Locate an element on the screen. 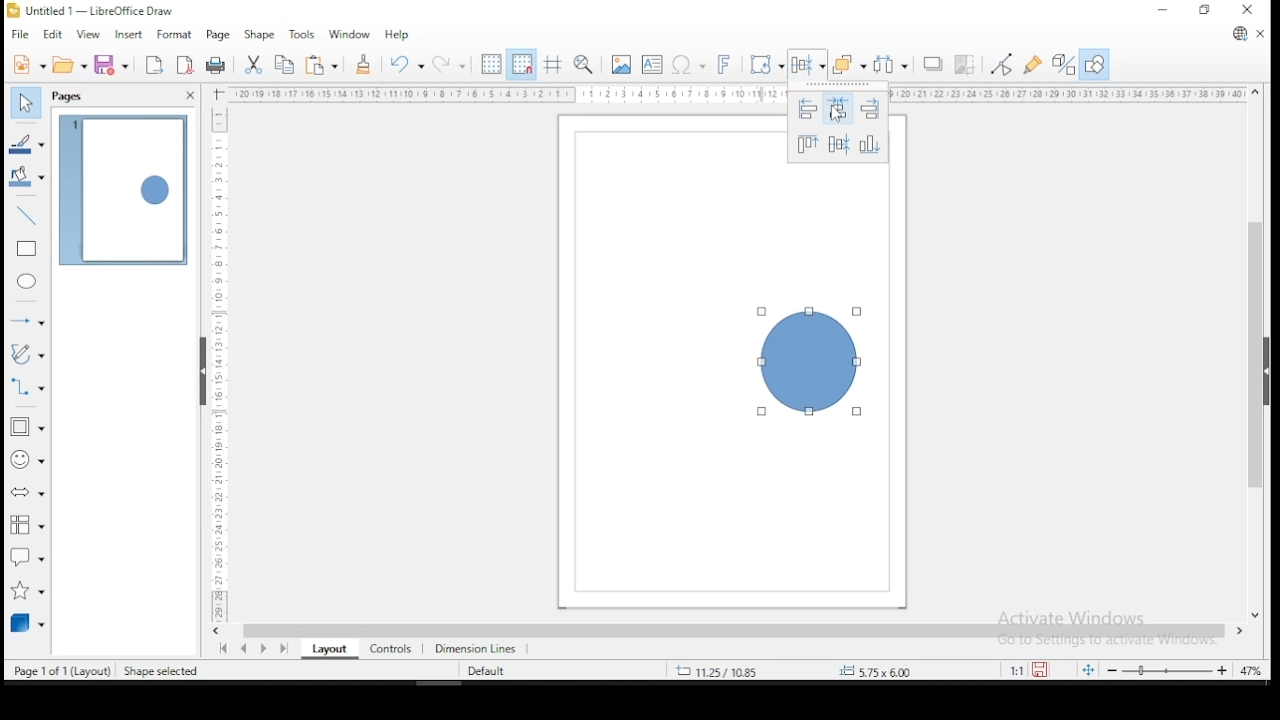  snap to grids is located at coordinates (521, 64).